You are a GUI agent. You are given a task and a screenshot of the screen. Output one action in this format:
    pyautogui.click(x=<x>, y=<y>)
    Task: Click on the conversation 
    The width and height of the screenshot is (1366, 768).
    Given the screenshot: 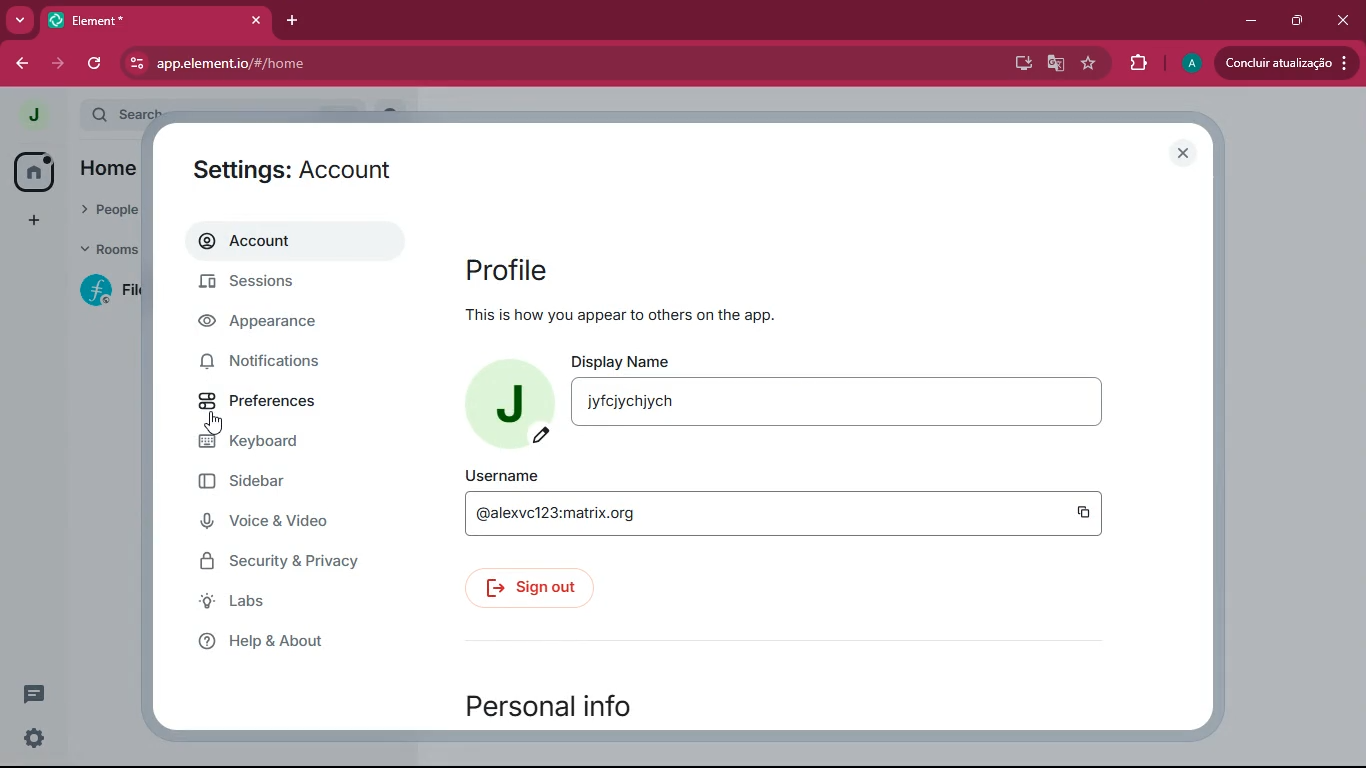 What is the action you would take?
    pyautogui.click(x=32, y=694)
    